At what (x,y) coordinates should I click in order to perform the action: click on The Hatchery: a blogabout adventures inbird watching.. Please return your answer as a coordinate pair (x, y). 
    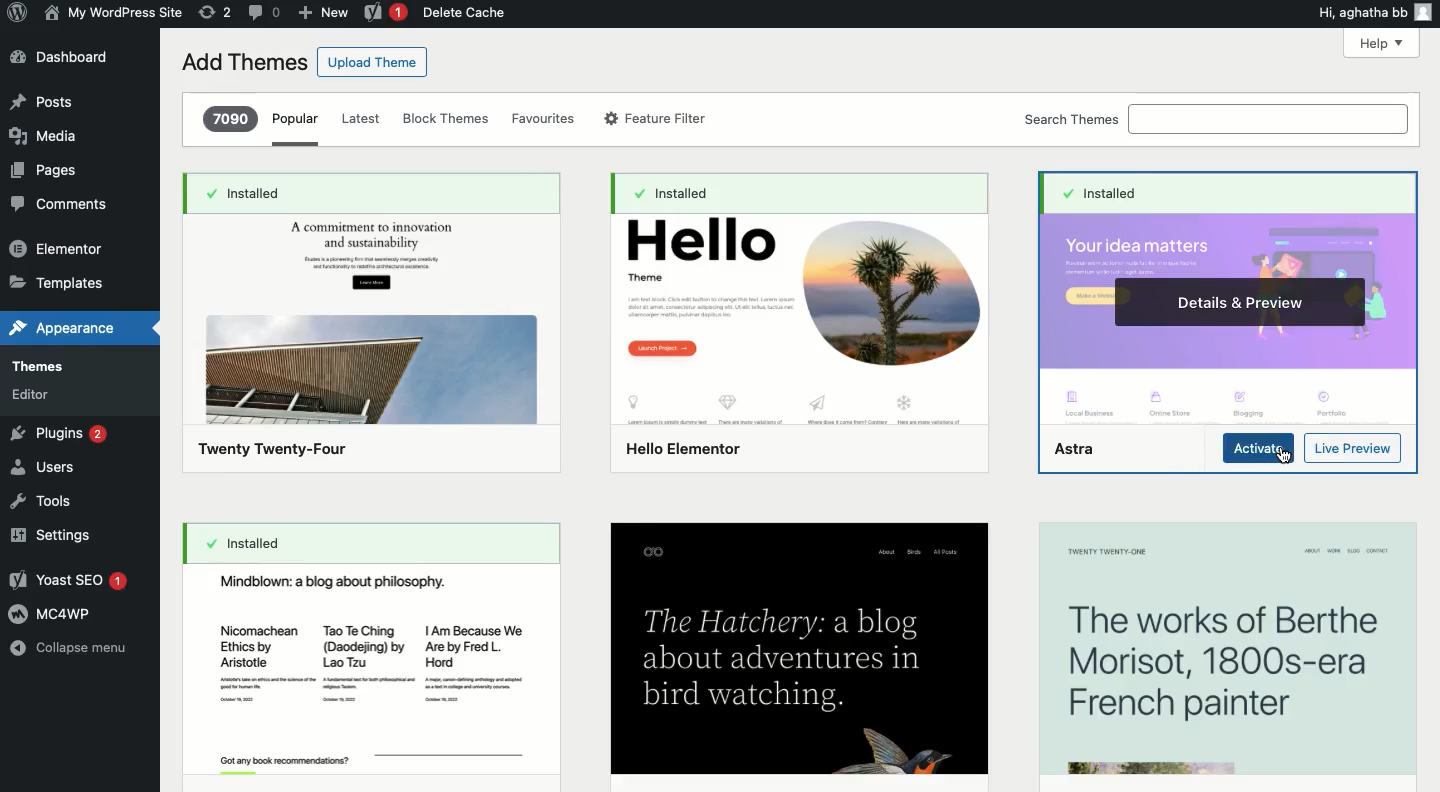
    Looking at the image, I should click on (799, 649).